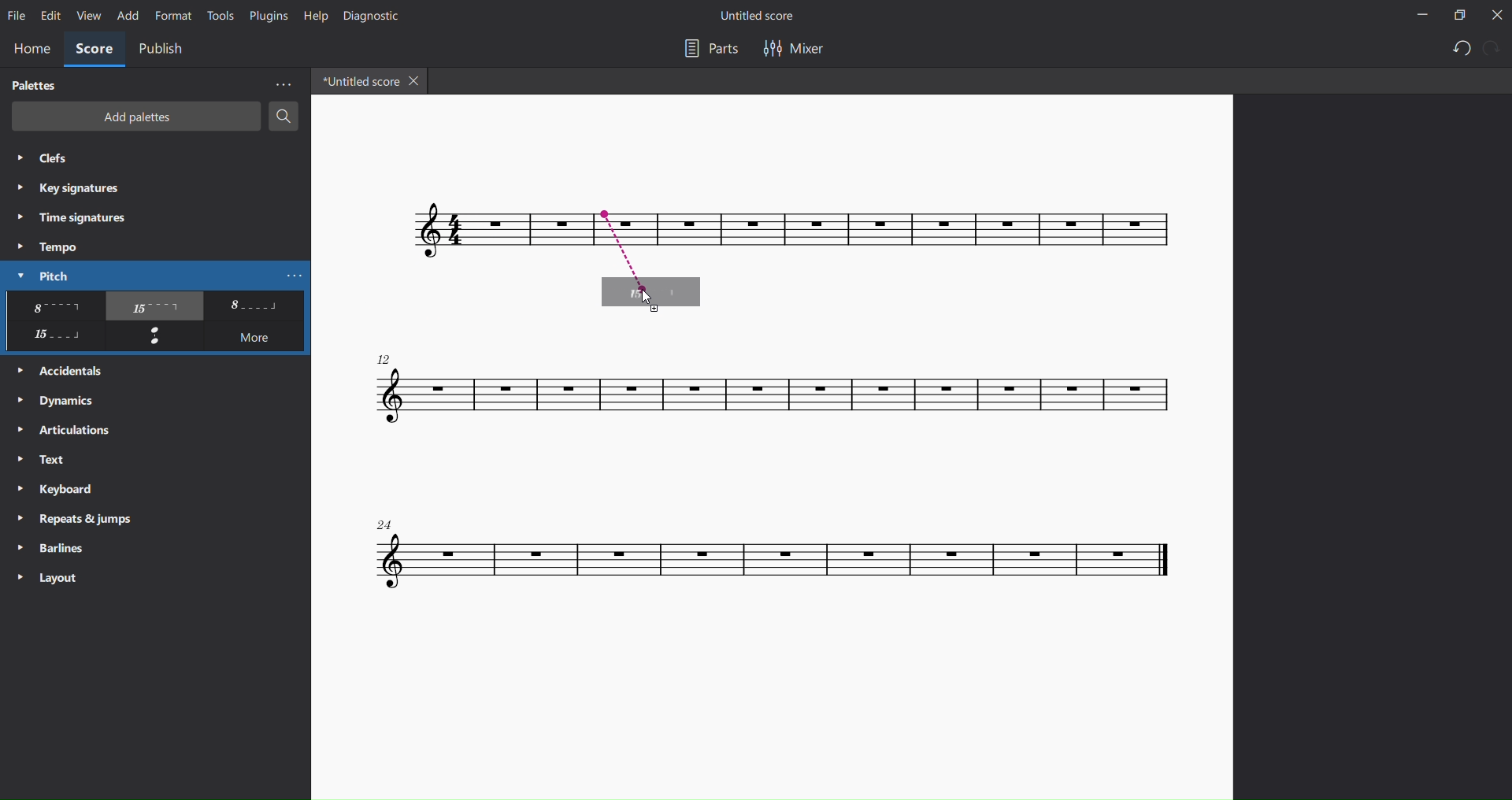 The height and width of the screenshot is (800, 1512). I want to click on layout, so click(55, 576).